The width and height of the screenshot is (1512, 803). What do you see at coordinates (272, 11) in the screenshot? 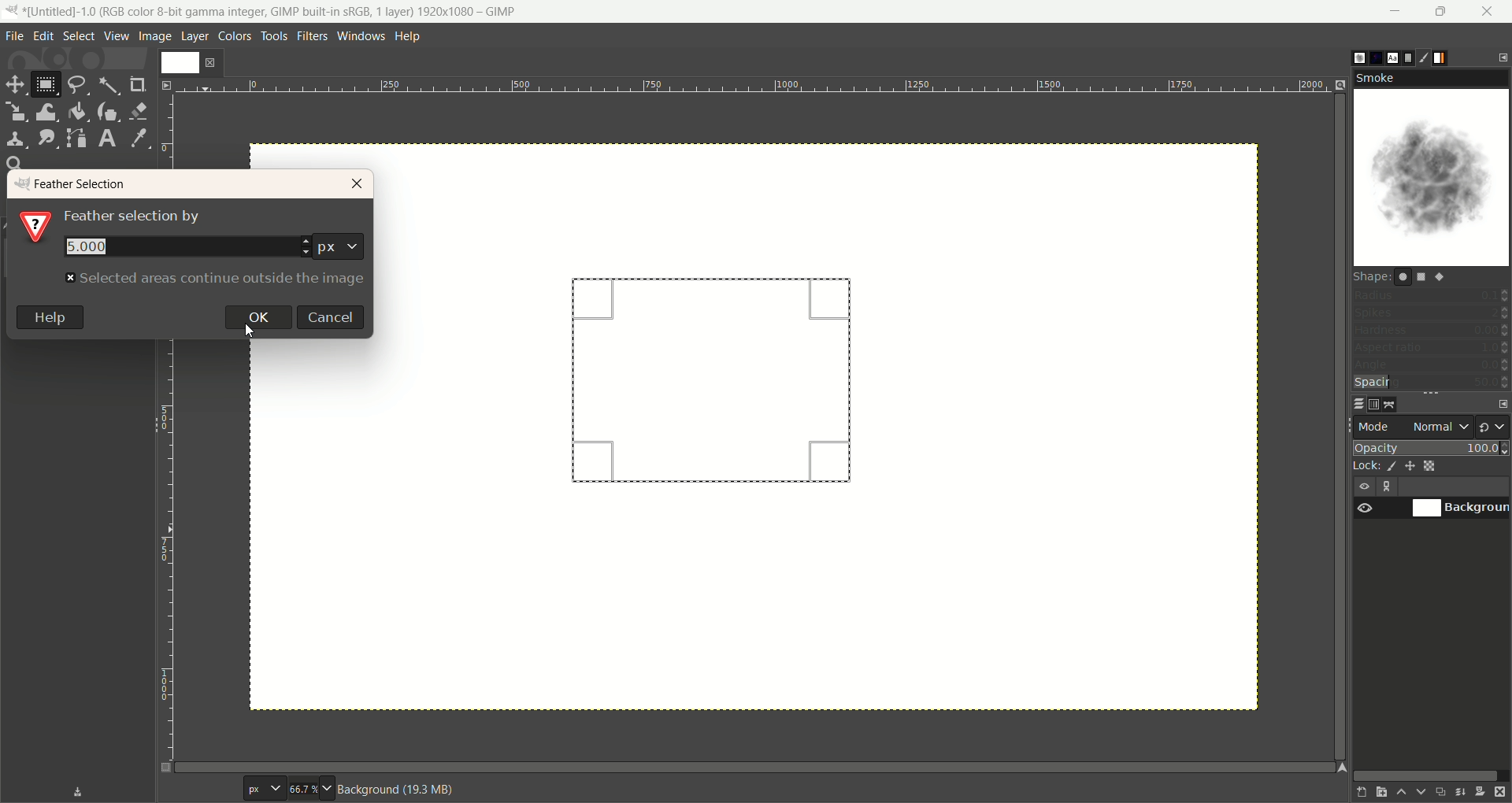
I see `title` at bounding box center [272, 11].